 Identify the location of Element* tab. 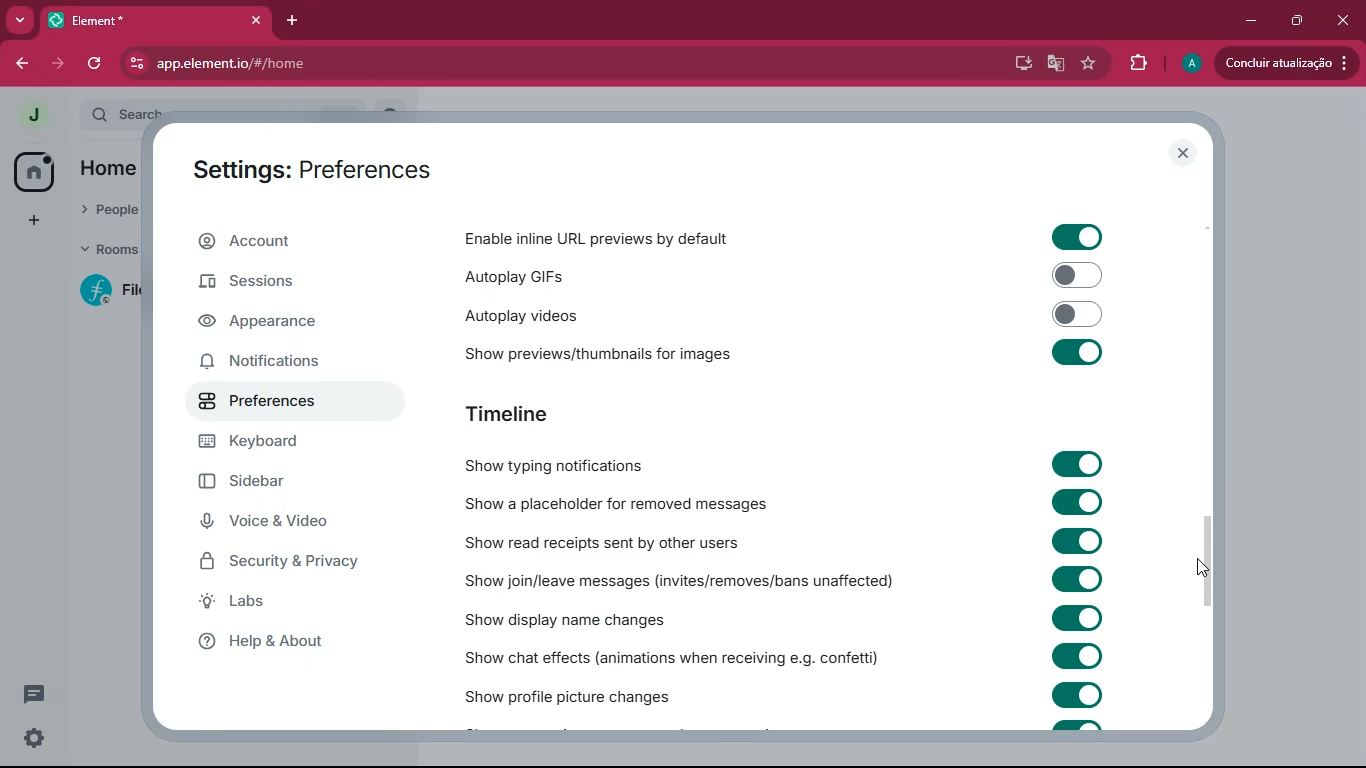
(108, 20).